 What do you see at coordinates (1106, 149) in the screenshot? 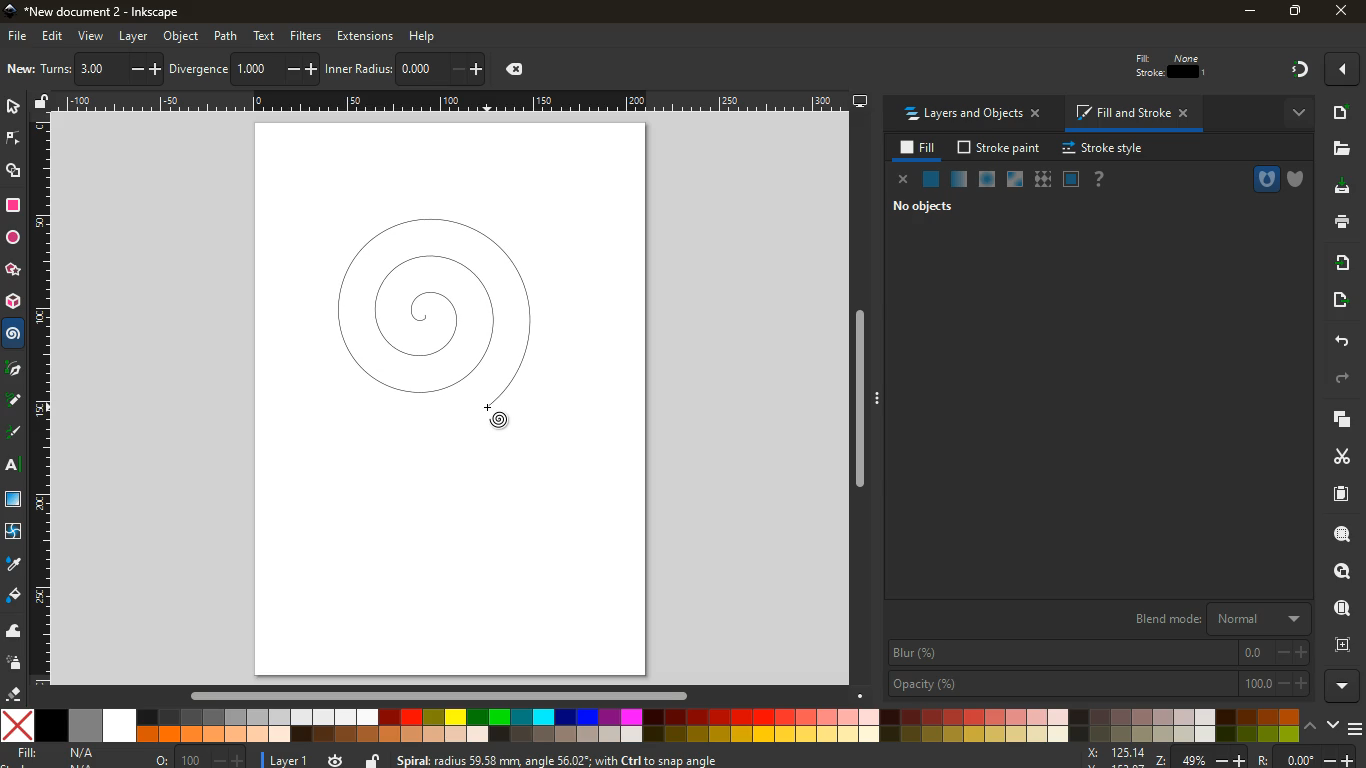
I see `stroke style` at bounding box center [1106, 149].